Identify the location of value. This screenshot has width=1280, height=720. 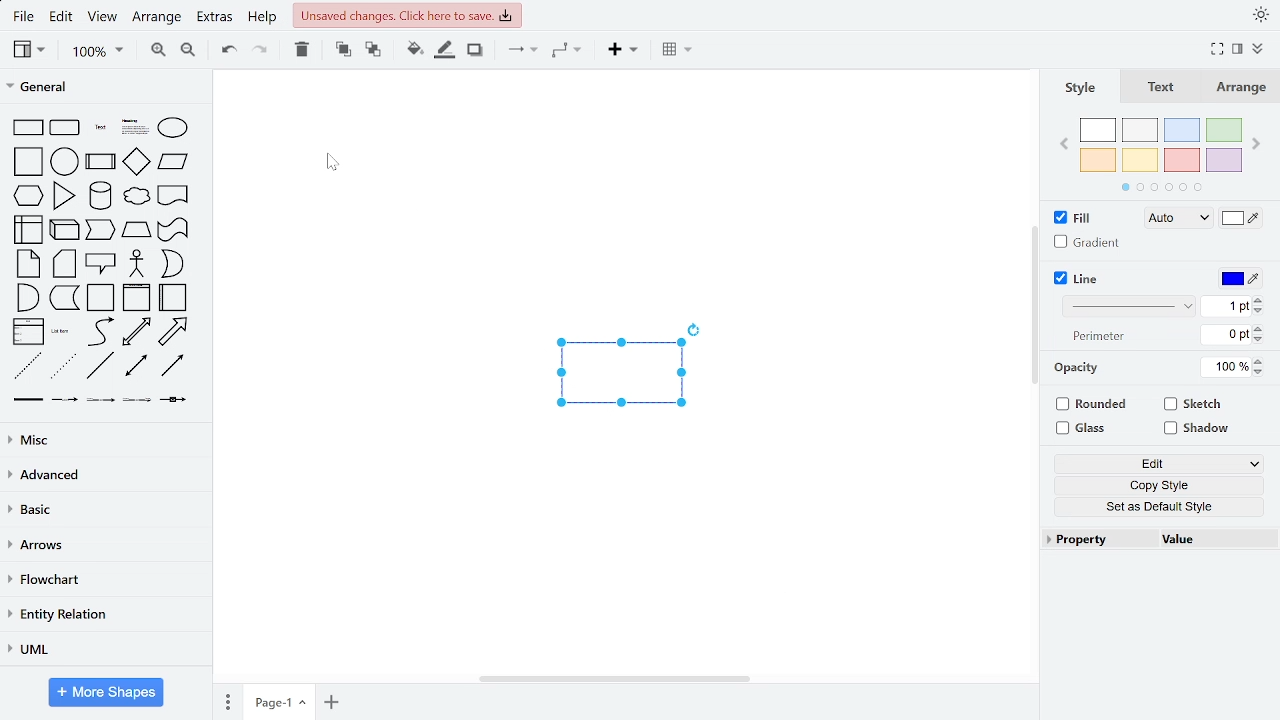
(1218, 538).